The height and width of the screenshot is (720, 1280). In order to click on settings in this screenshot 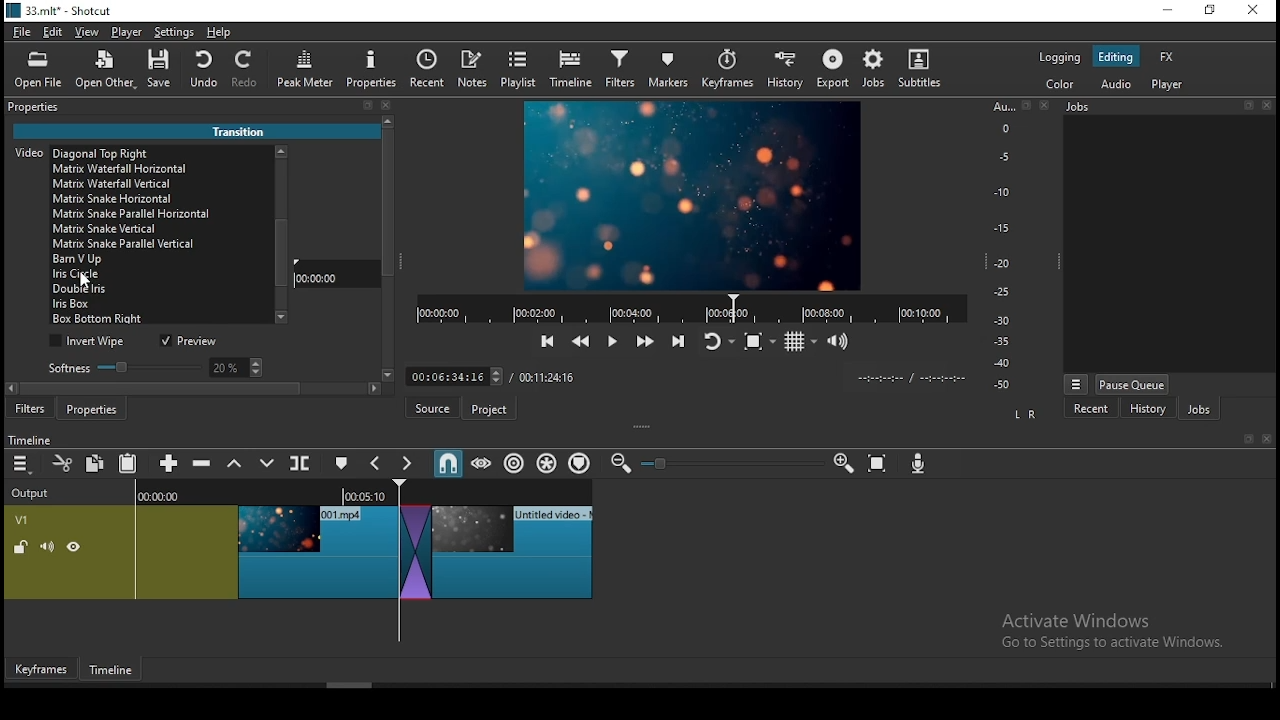, I will do `click(175, 35)`.